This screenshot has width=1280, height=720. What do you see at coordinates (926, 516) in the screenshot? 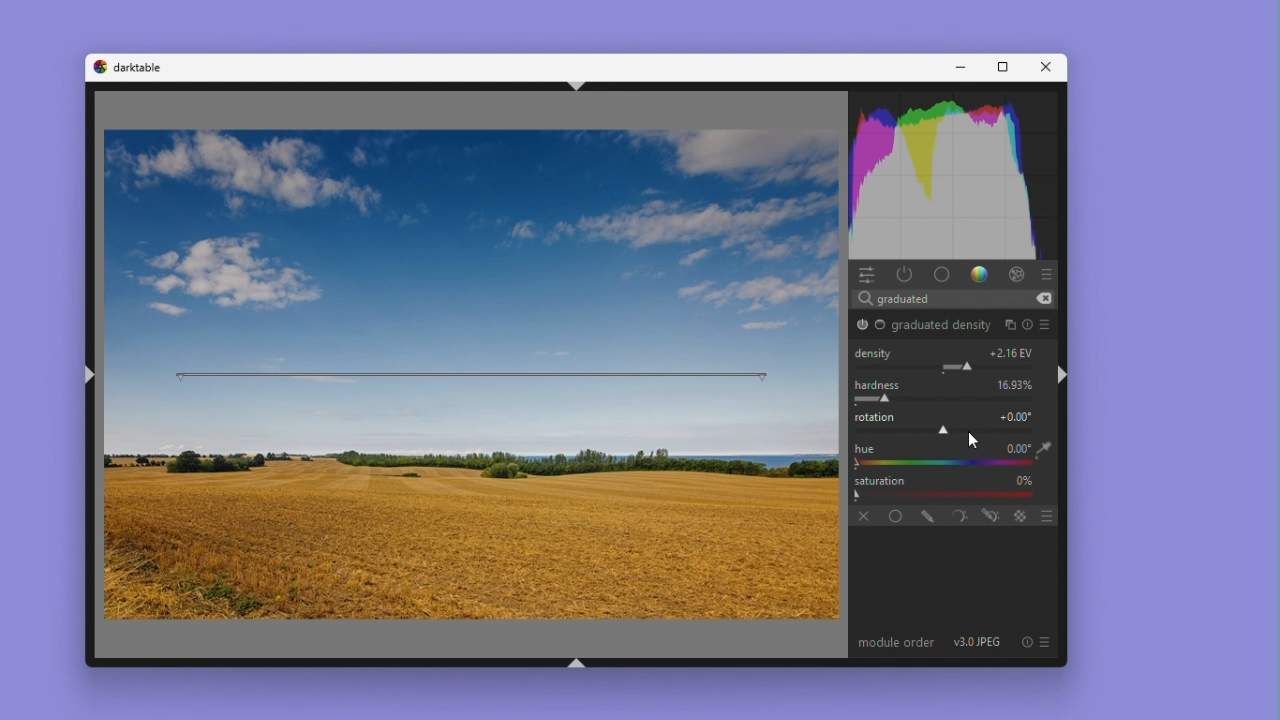
I see `drawn mask` at bounding box center [926, 516].